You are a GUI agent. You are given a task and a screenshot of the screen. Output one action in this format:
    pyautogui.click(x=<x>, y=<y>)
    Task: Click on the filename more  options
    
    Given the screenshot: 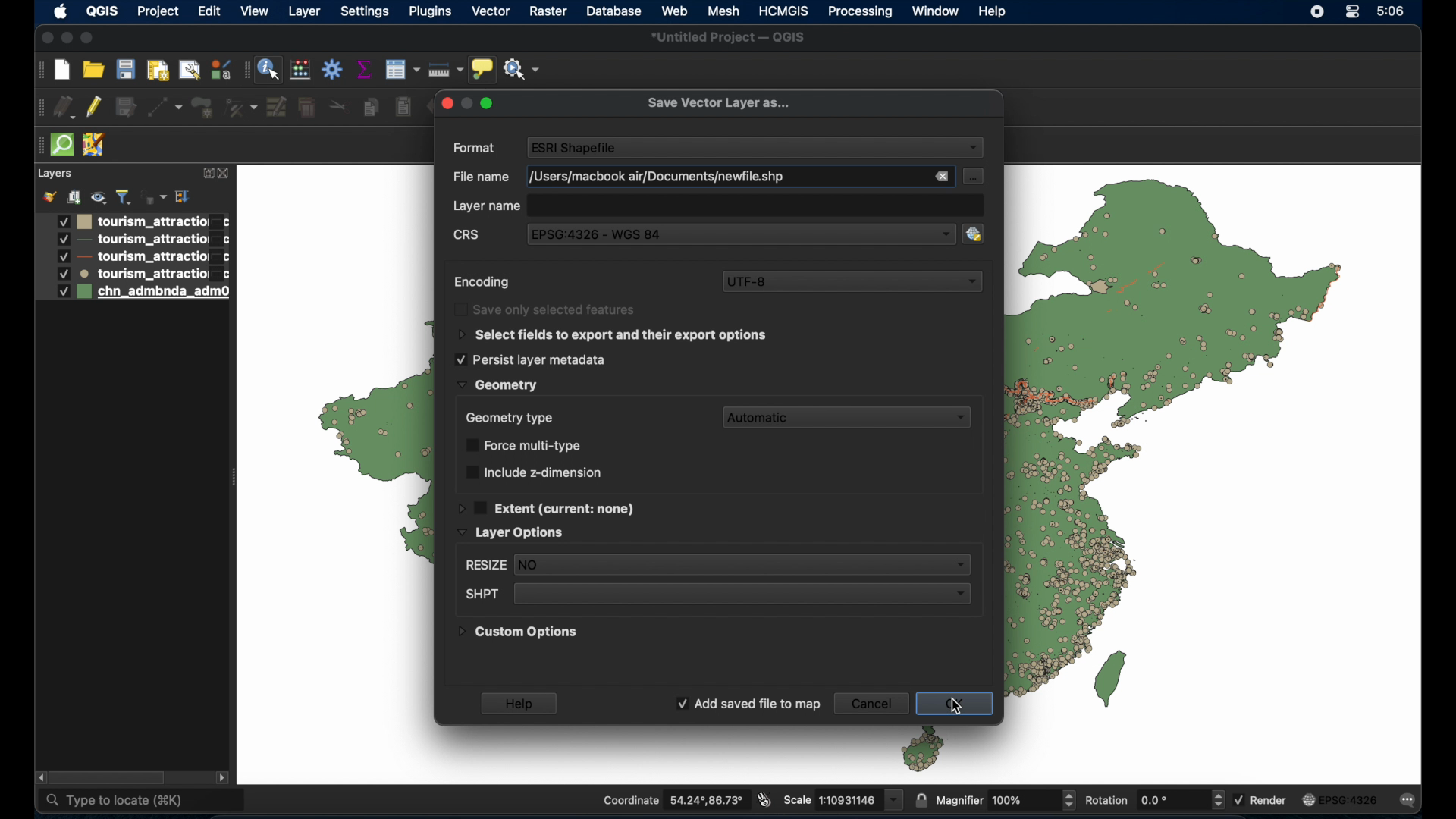 What is the action you would take?
    pyautogui.click(x=974, y=176)
    